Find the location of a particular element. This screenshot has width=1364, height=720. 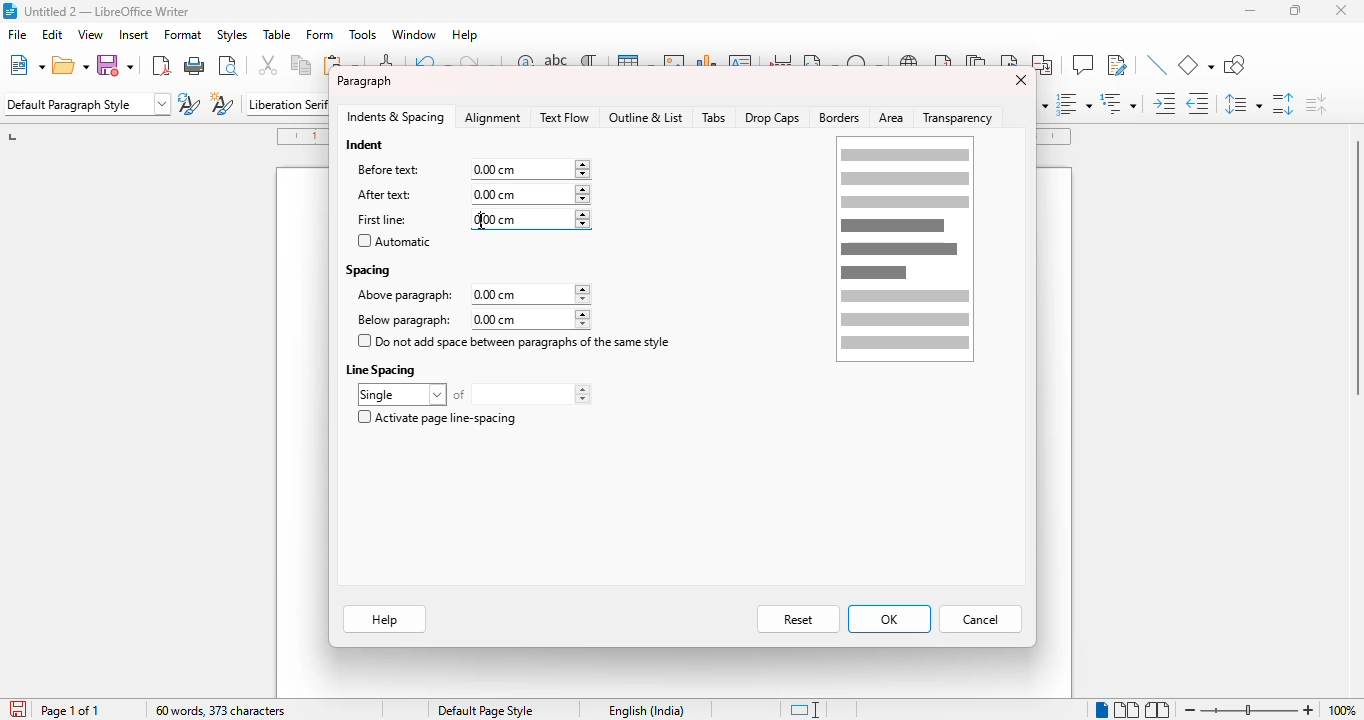

save is located at coordinates (118, 65).